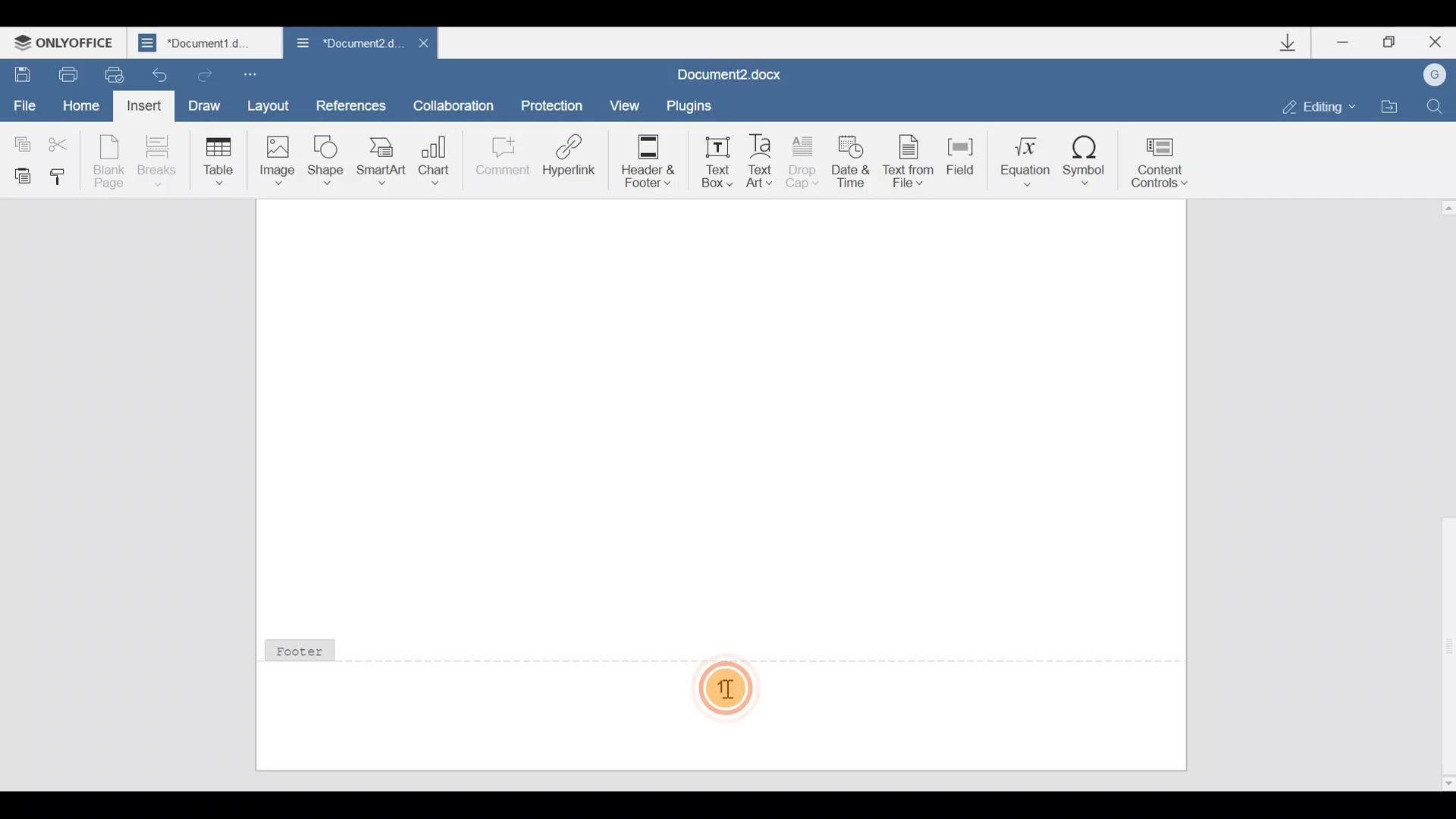 Image resolution: width=1456 pixels, height=819 pixels. What do you see at coordinates (64, 74) in the screenshot?
I see `Print file` at bounding box center [64, 74].